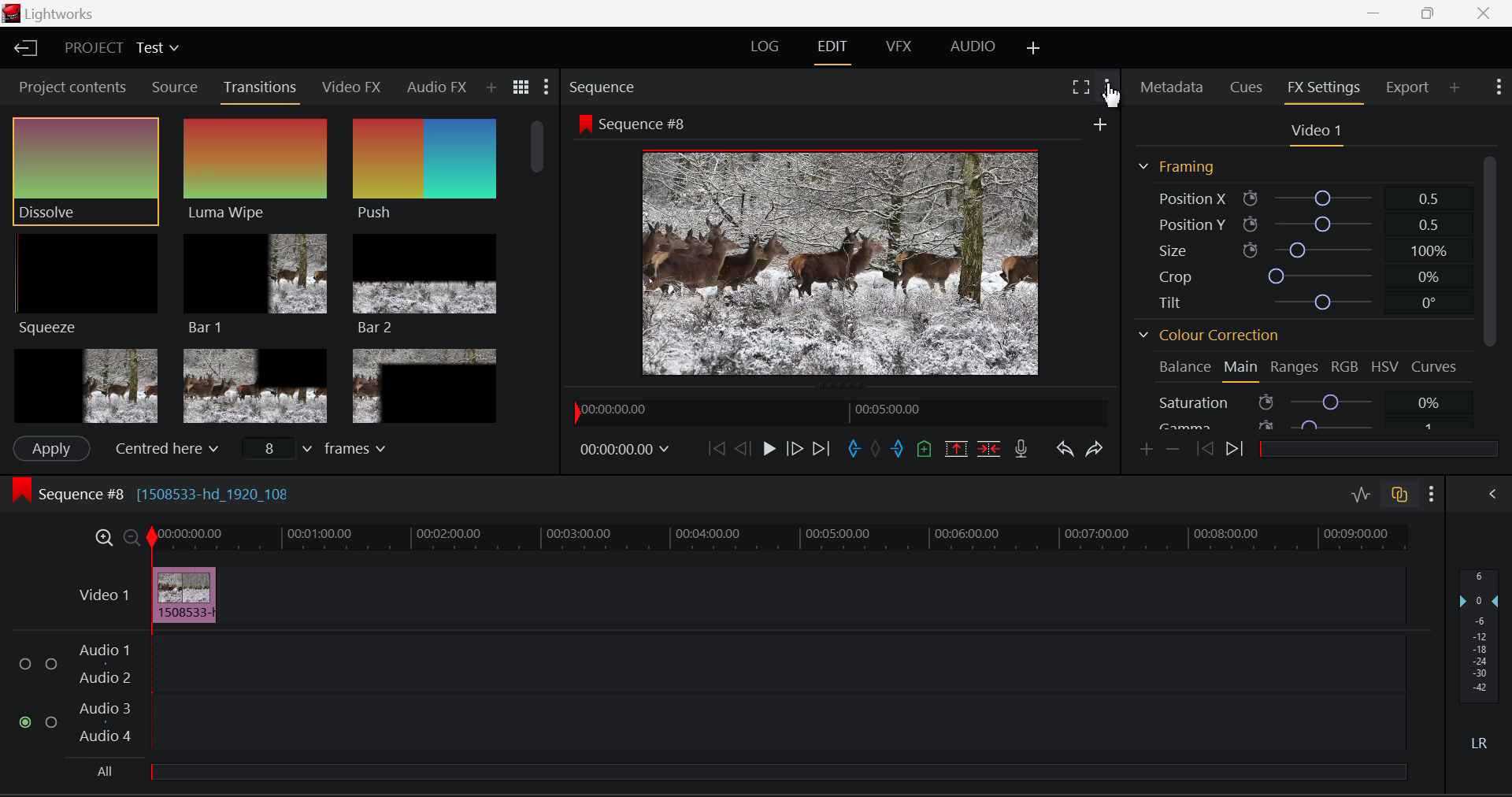  Describe the element at coordinates (131, 539) in the screenshot. I see `Timeline Zoom Out` at that location.